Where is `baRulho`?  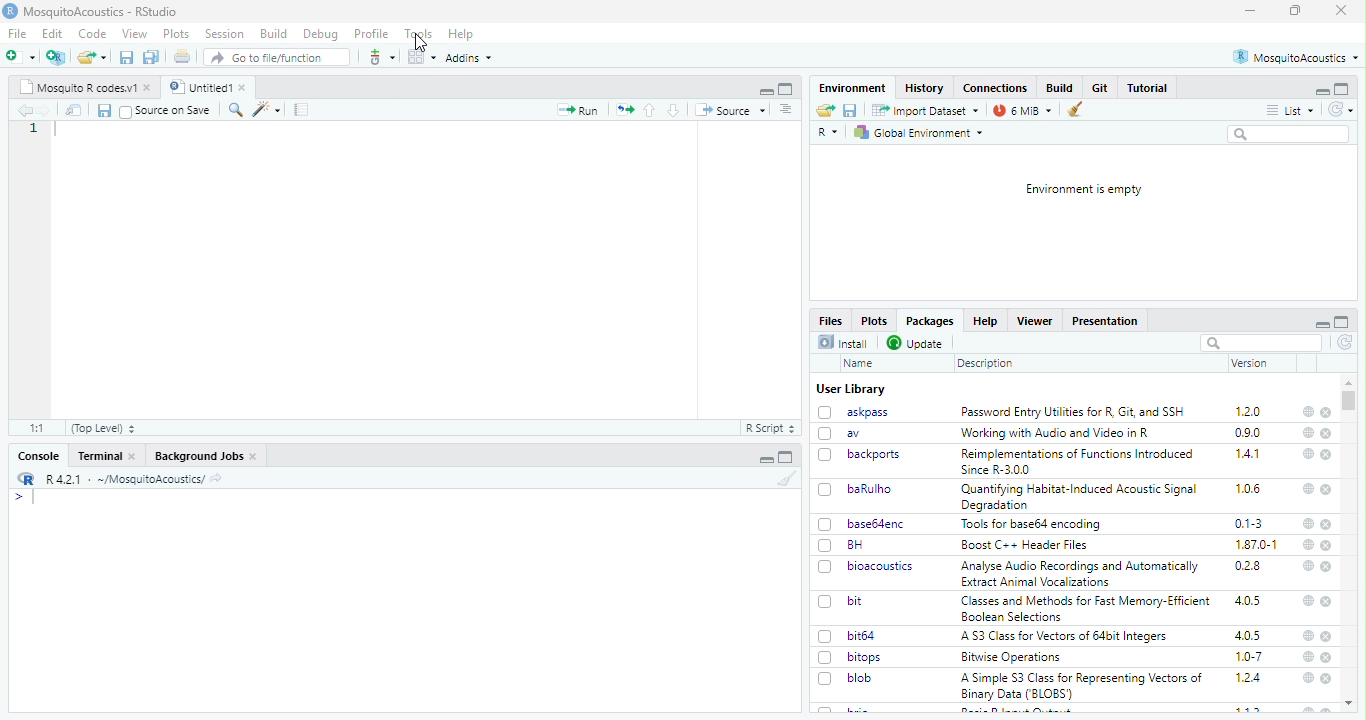
baRulho is located at coordinates (871, 488).